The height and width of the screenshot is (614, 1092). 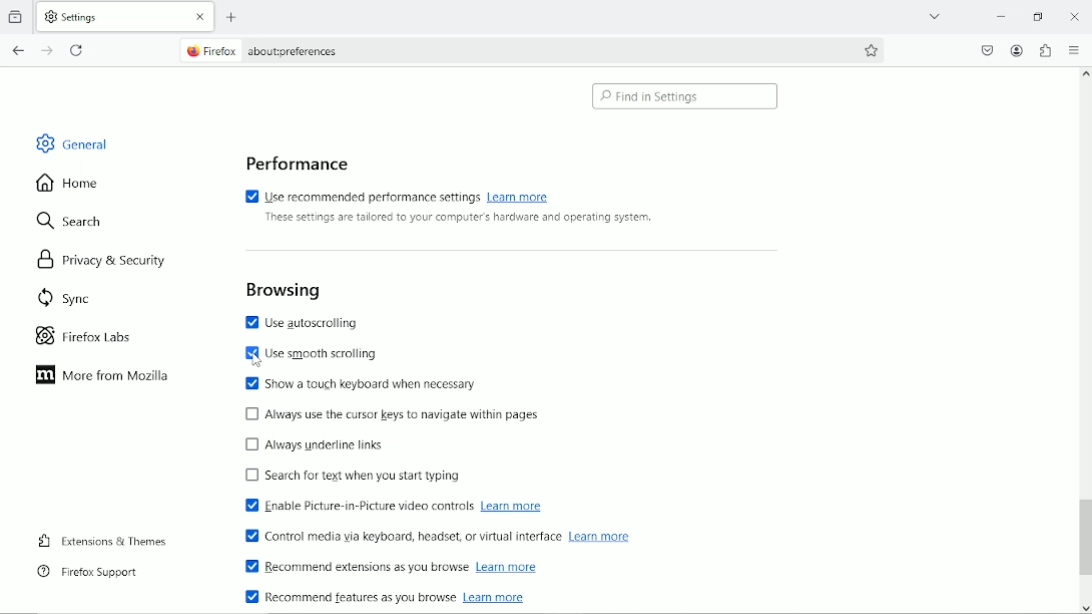 What do you see at coordinates (282, 288) in the screenshot?
I see `Browsing` at bounding box center [282, 288].